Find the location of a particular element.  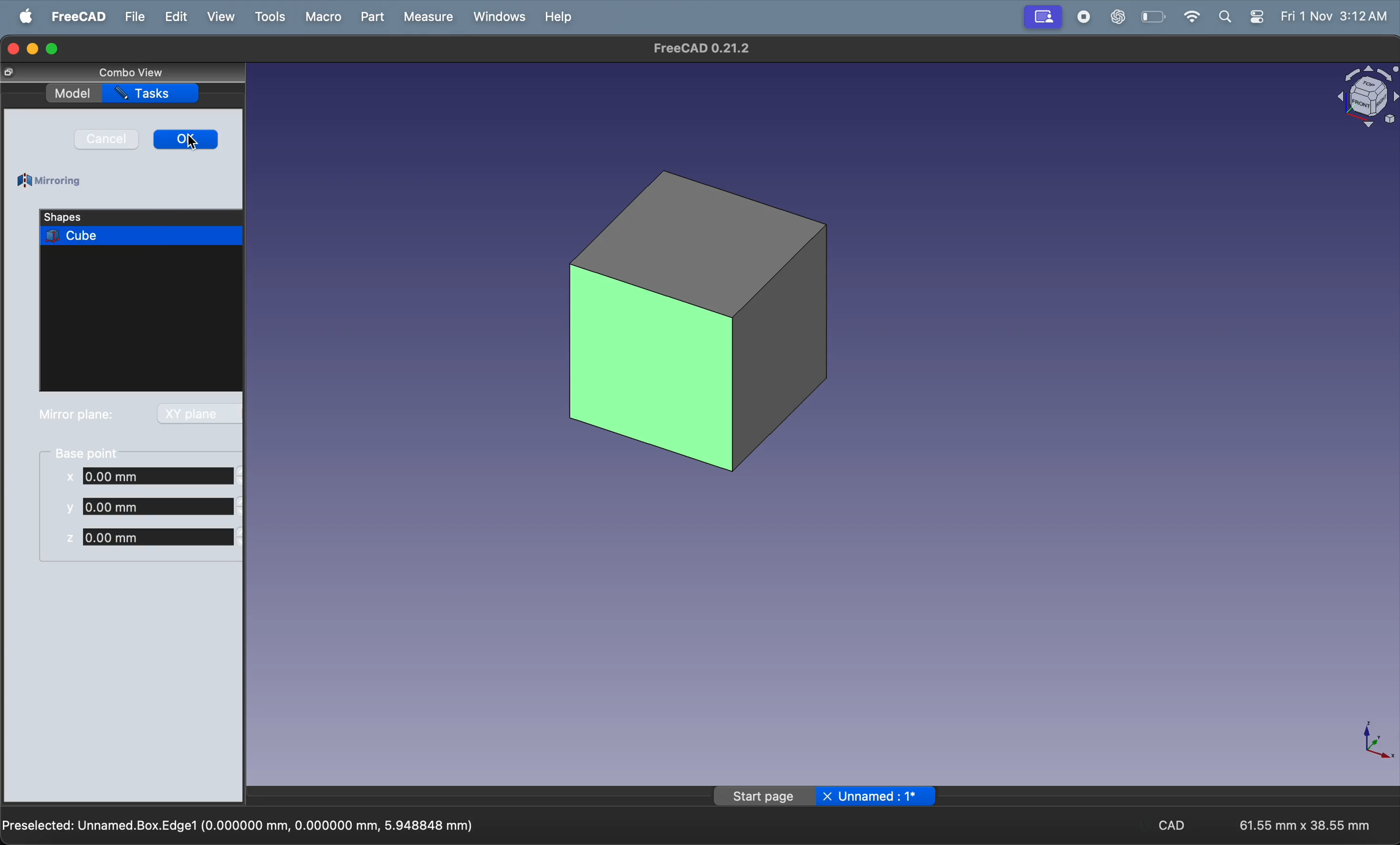

part is located at coordinates (372, 17).